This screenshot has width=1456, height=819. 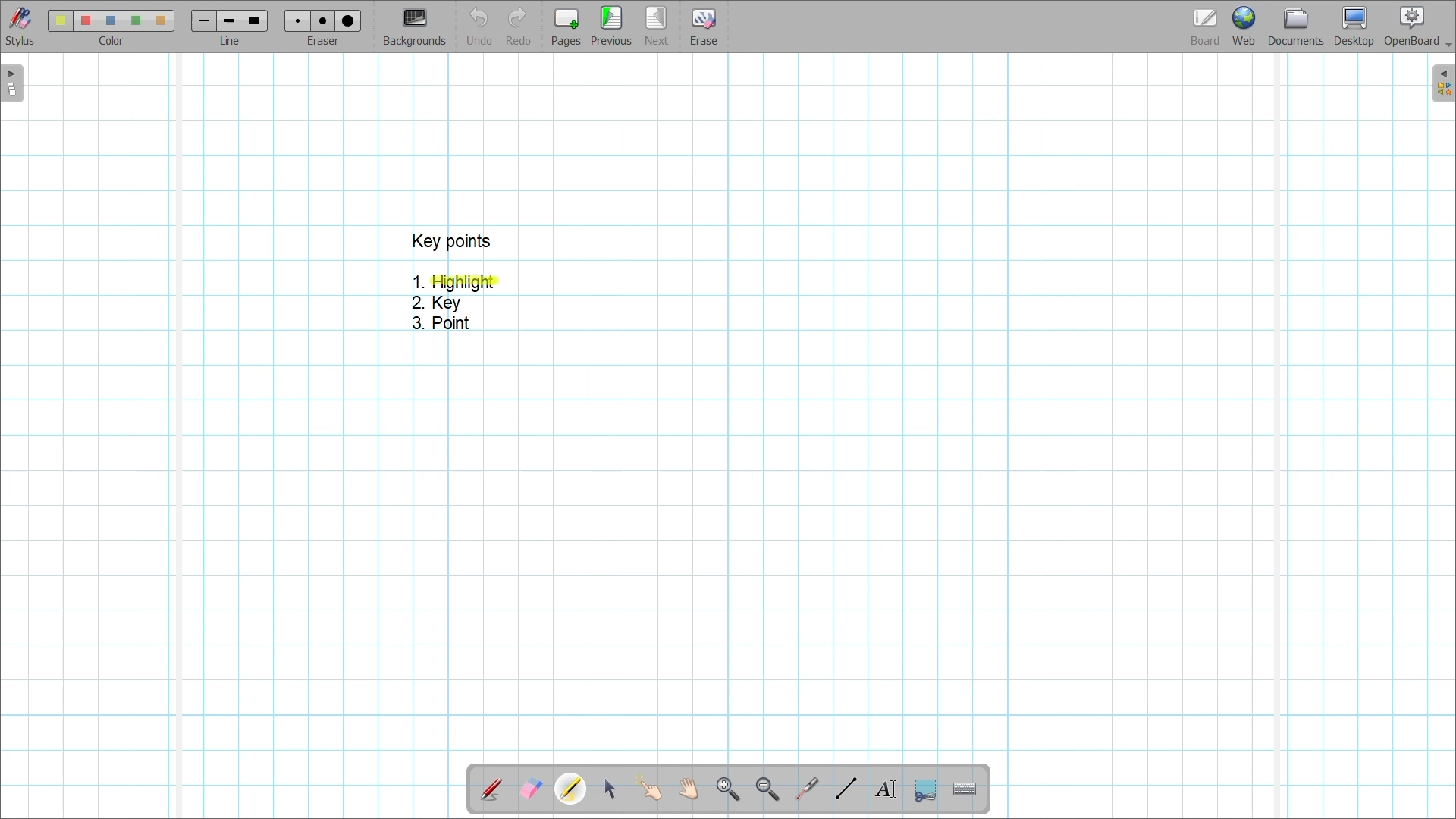 I want to click on Left sidebar, so click(x=12, y=83).